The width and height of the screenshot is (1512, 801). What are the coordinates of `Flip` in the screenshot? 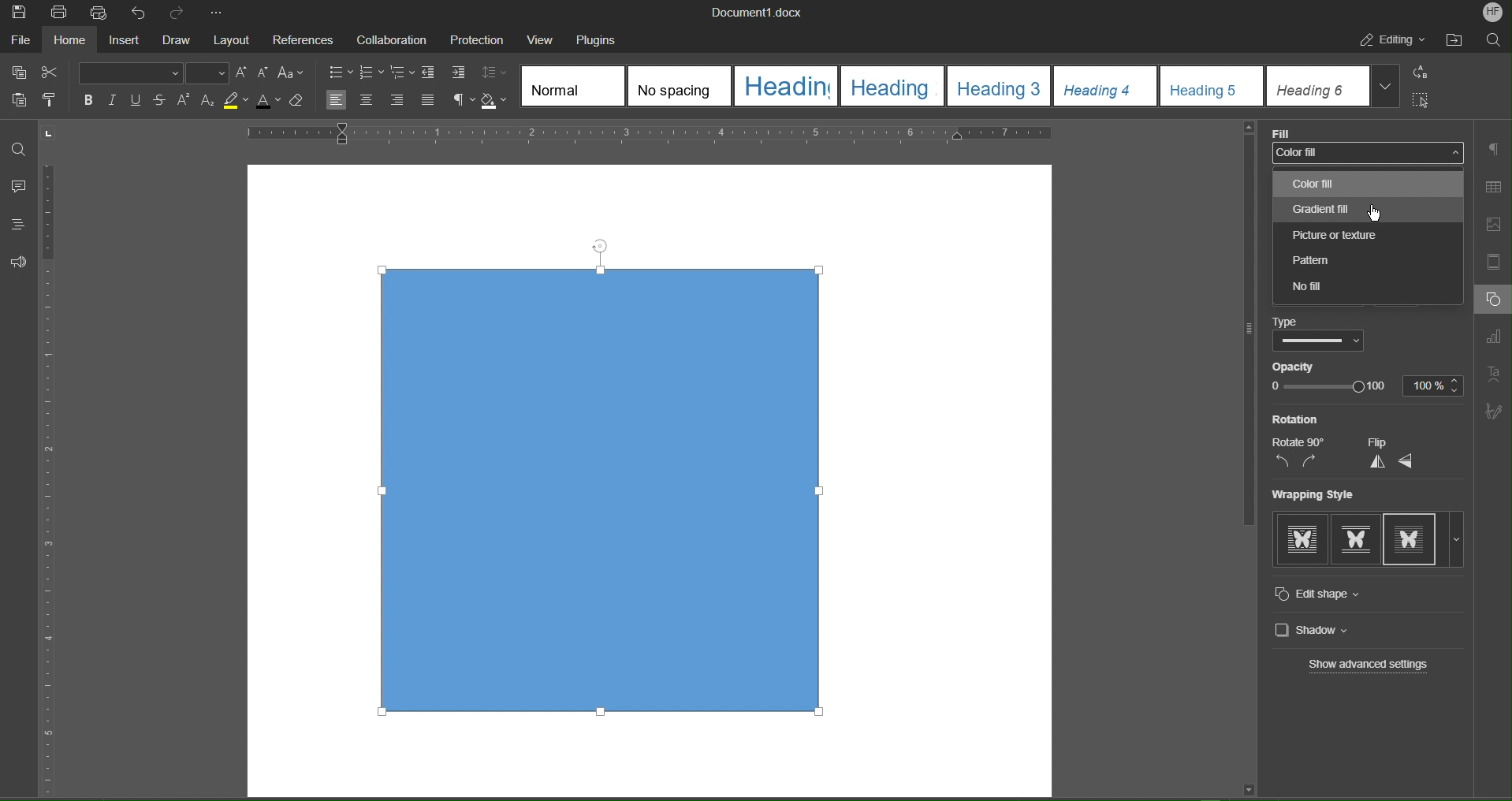 It's located at (1379, 443).